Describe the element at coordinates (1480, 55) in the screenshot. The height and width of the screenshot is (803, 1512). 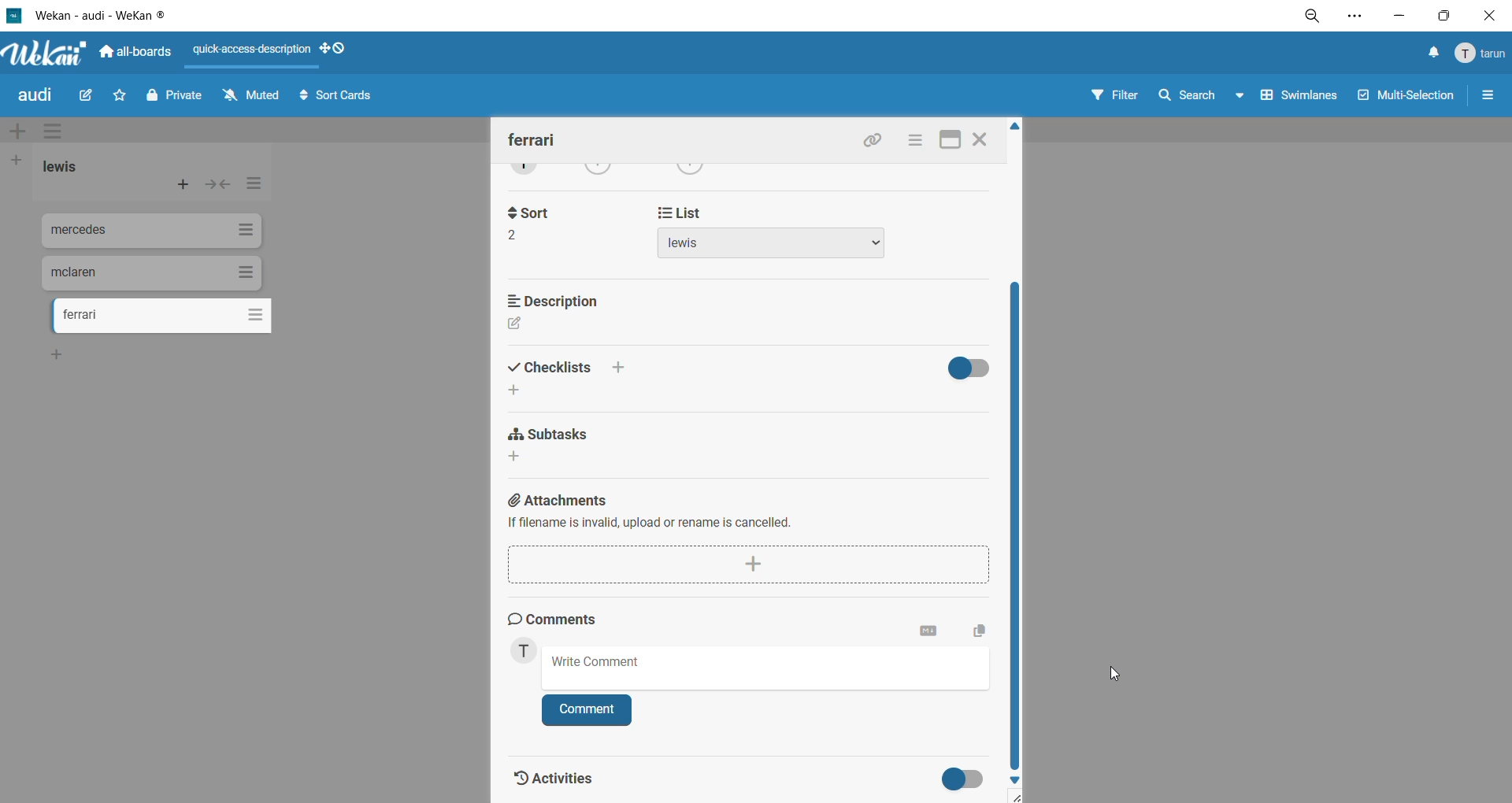
I see `menu` at that location.